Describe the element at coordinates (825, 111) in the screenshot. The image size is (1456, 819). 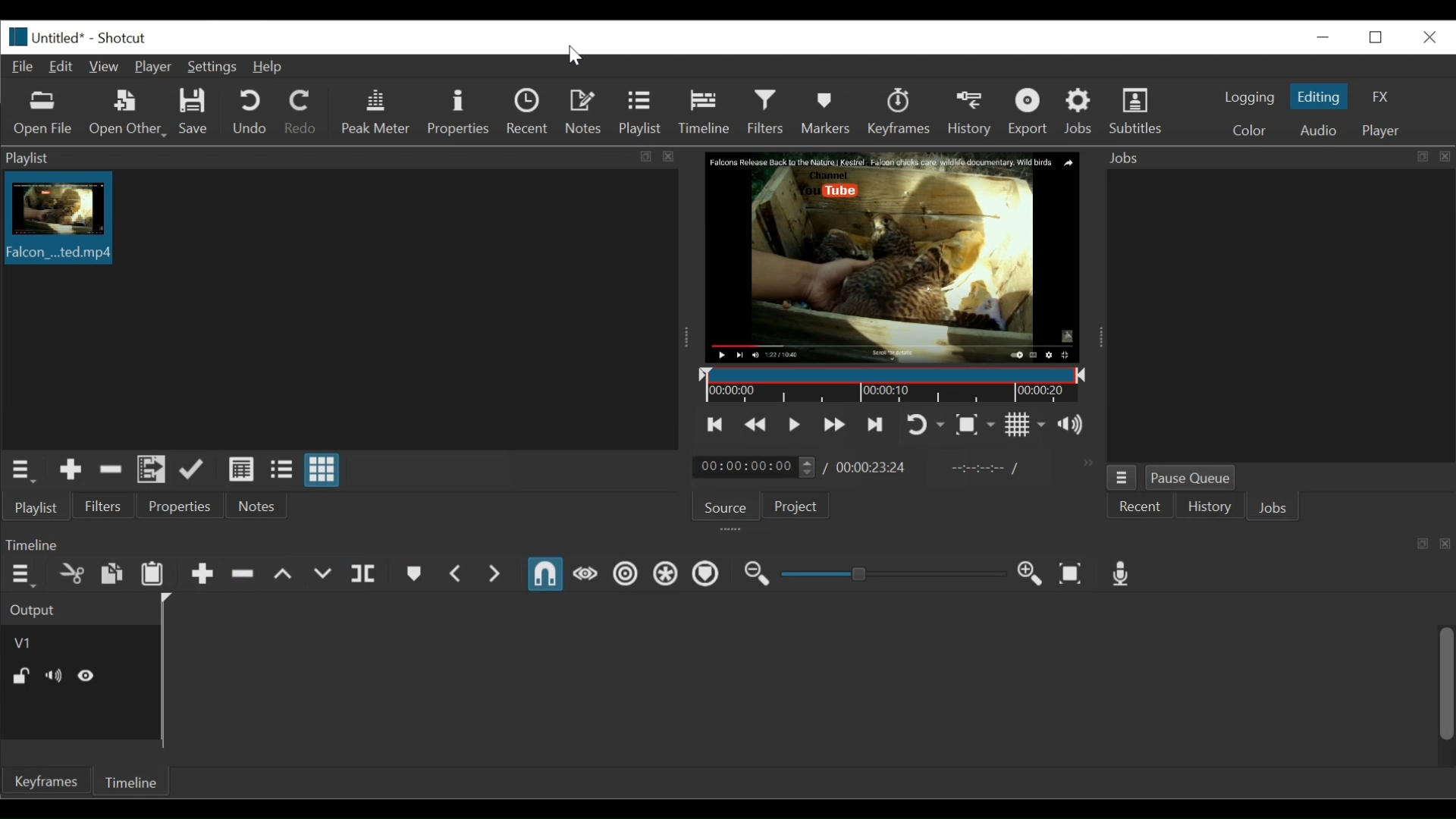
I see `Markers` at that location.